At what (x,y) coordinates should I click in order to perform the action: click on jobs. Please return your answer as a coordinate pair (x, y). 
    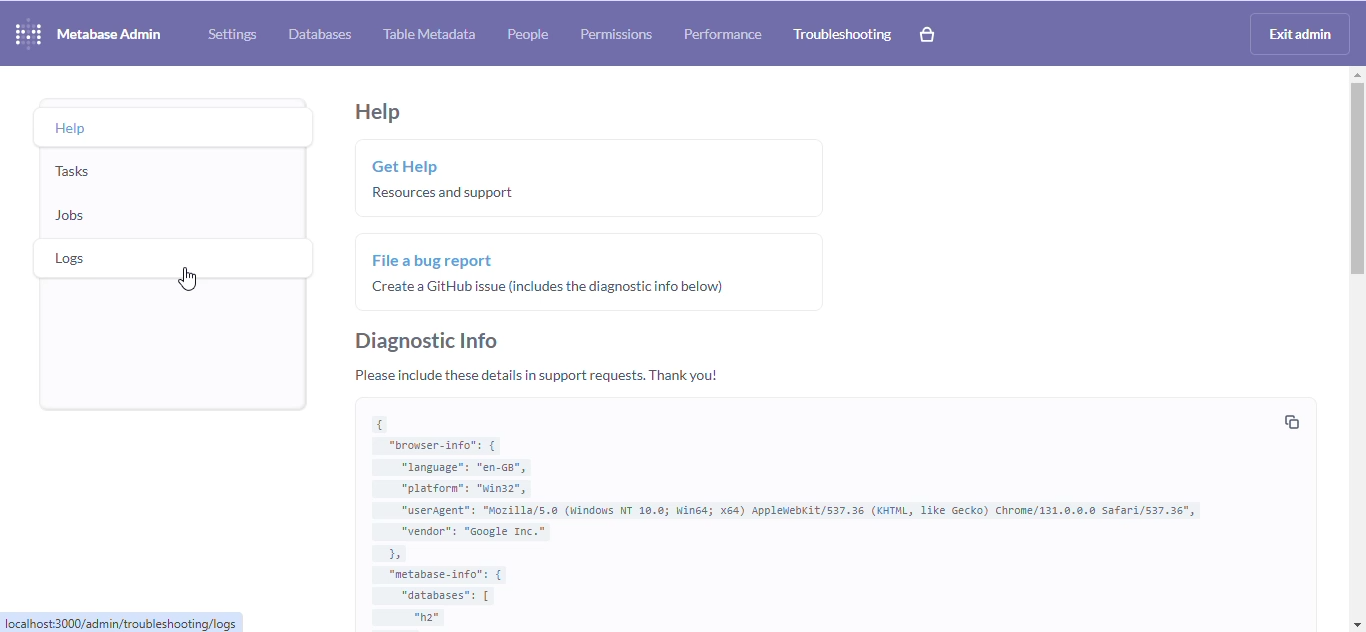
    Looking at the image, I should click on (71, 214).